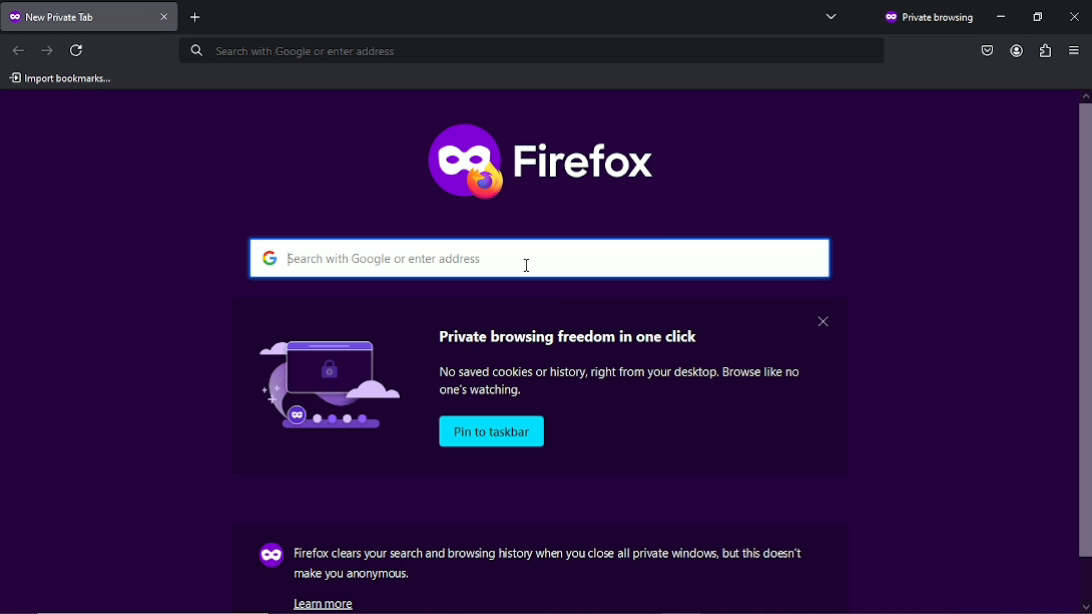 The width and height of the screenshot is (1092, 614). Describe the element at coordinates (987, 49) in the screenshot. I see `save to pocket` at that location.